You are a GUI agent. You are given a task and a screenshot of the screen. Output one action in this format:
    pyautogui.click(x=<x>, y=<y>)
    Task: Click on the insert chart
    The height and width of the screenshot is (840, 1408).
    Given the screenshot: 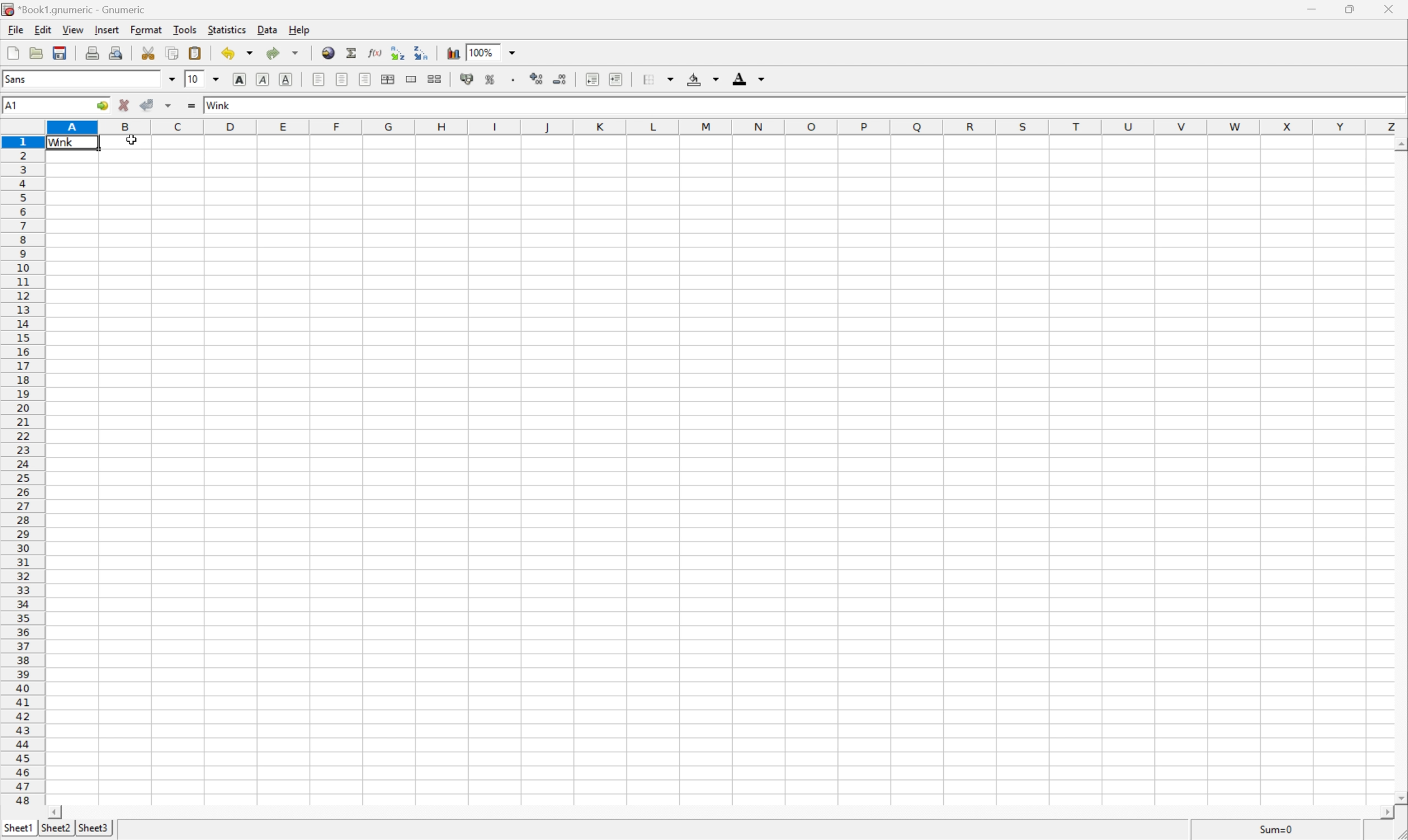 What is the action you would take?
    pyautogui.click(x=453, y=53)
    